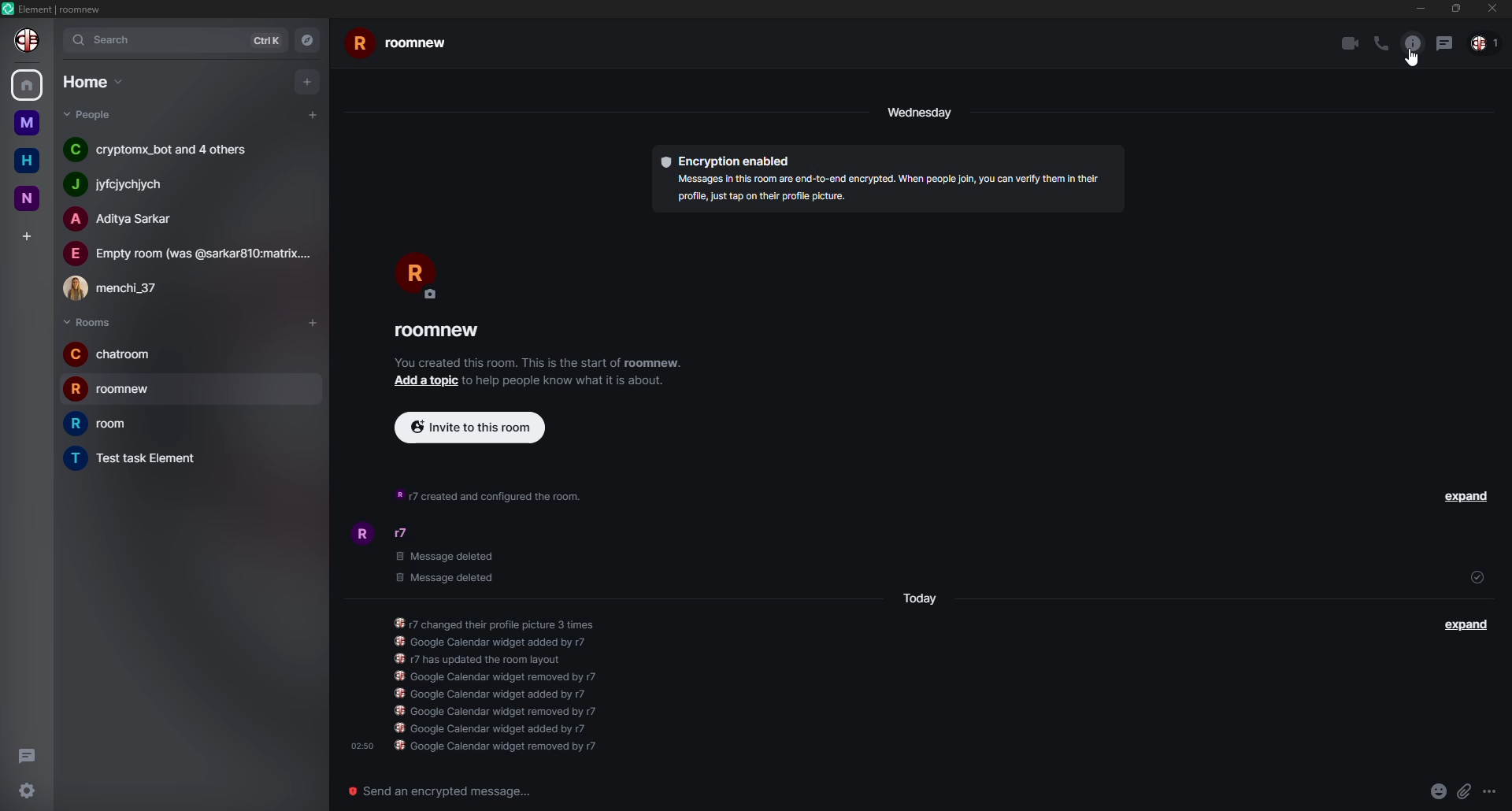 The height and width of the screenshot is (811, 1512). I want to click on people, so click(90, 114).